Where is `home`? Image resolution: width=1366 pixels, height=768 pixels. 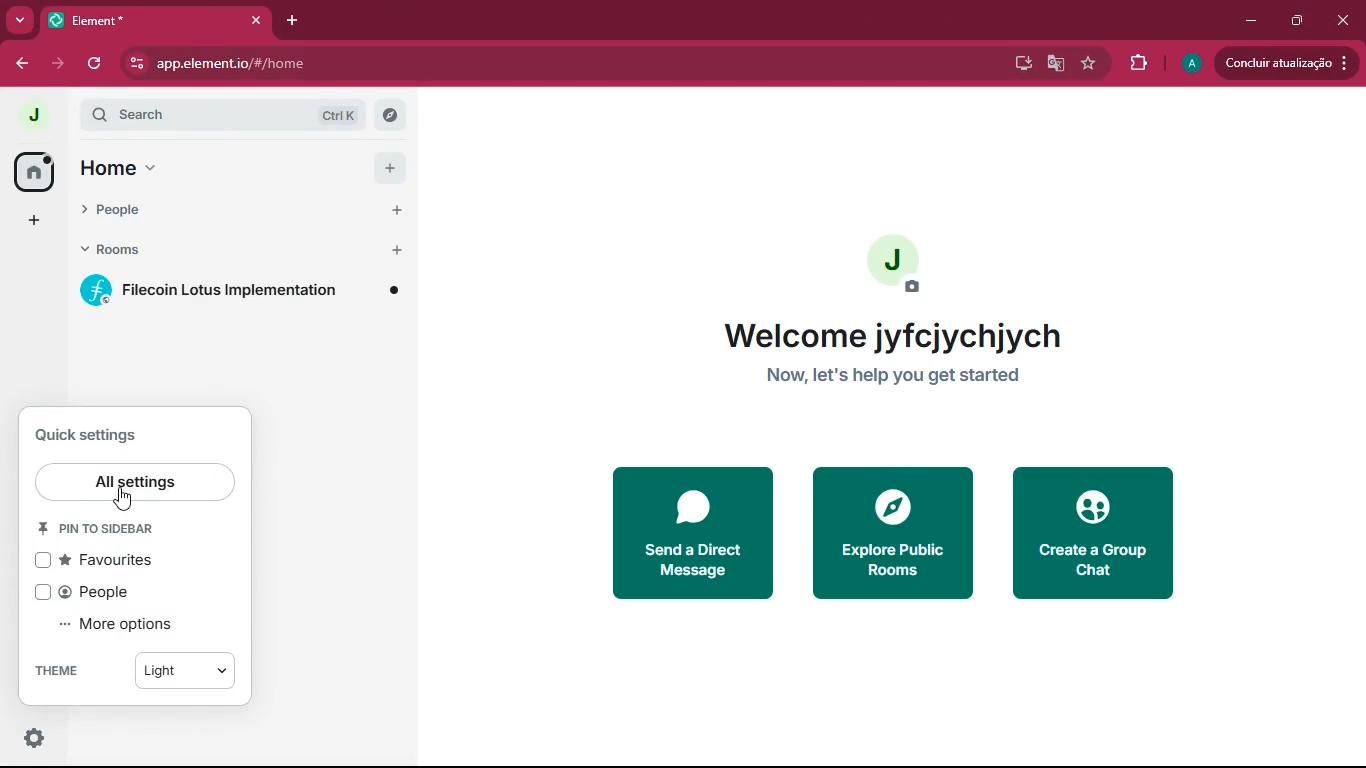 home is located at coordinates (220, 169).